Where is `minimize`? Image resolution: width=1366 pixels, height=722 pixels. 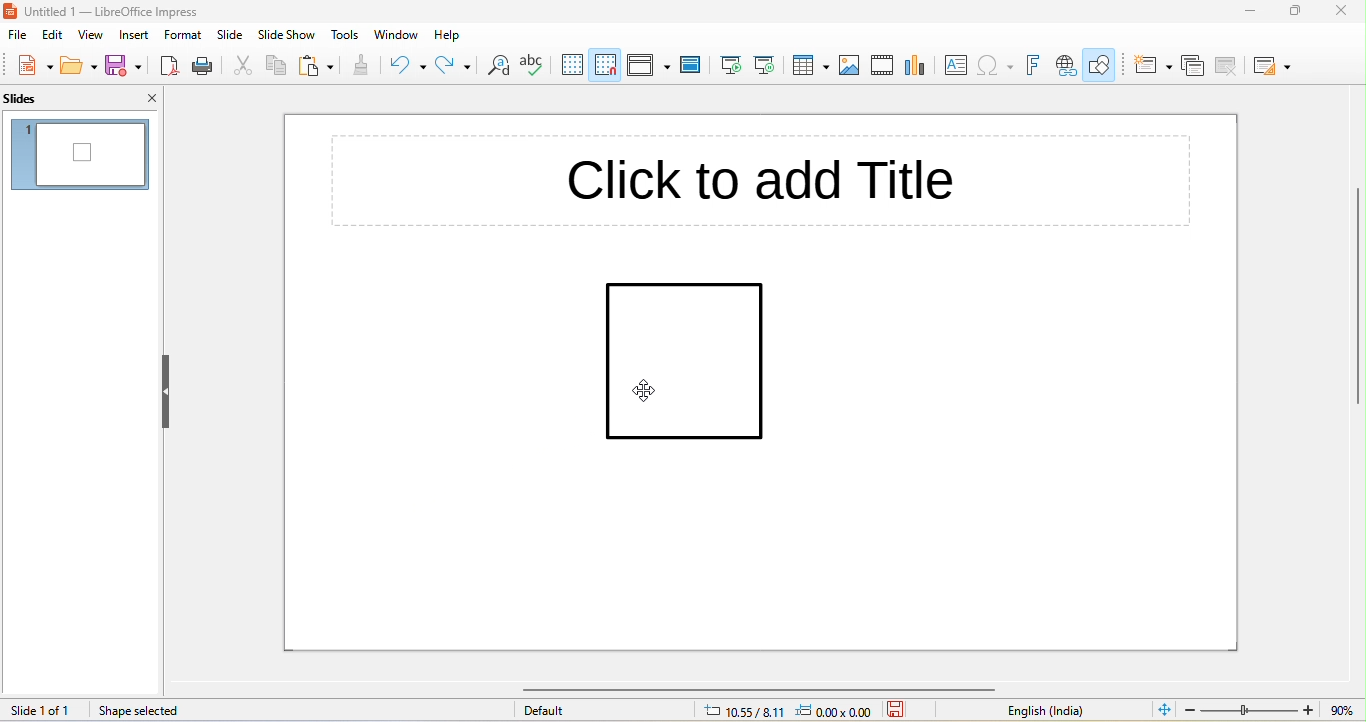
minimize is located at coordinates (1245, 12).